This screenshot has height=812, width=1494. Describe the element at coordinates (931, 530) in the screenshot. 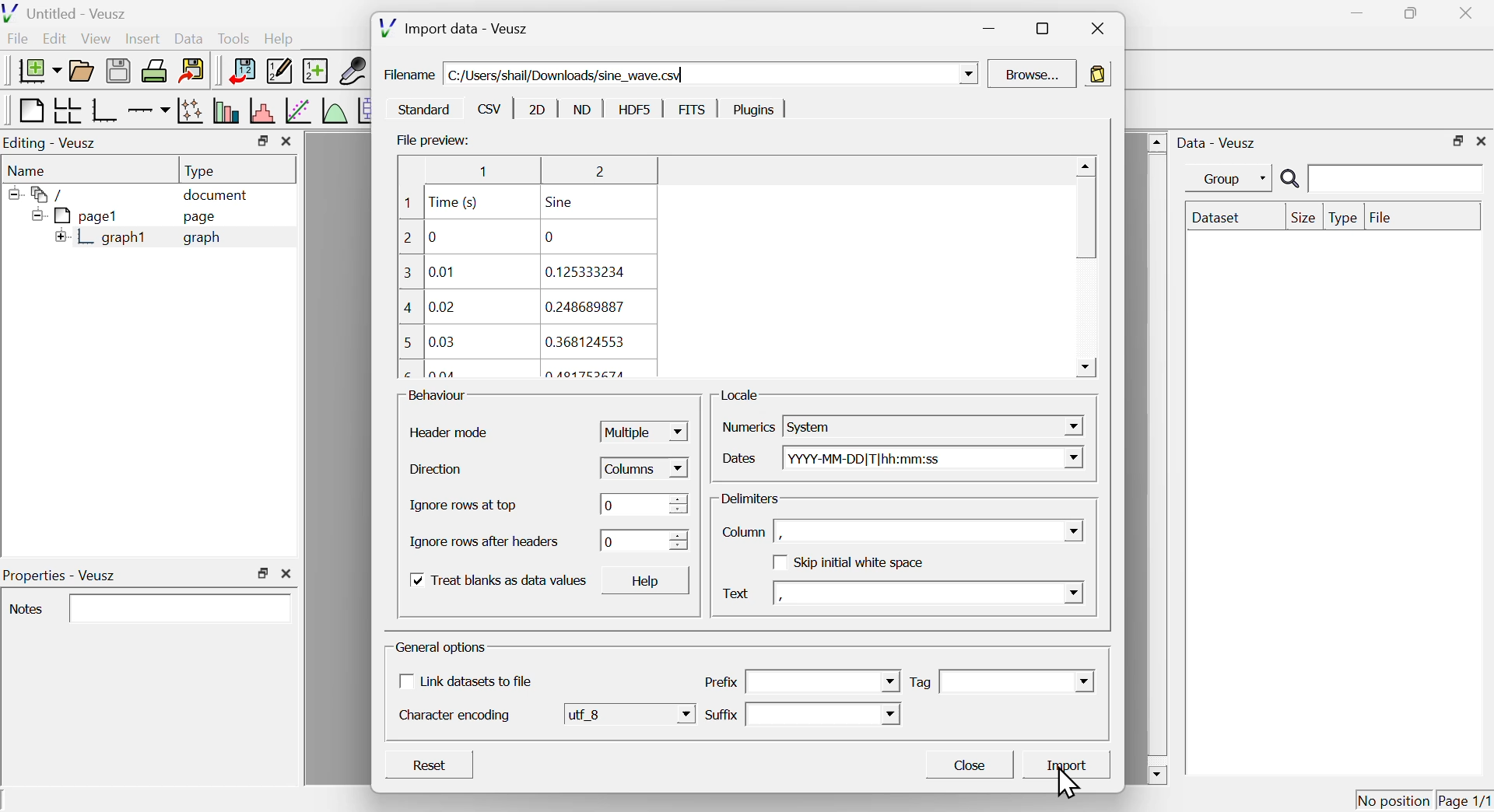

I see `text box` at that location.